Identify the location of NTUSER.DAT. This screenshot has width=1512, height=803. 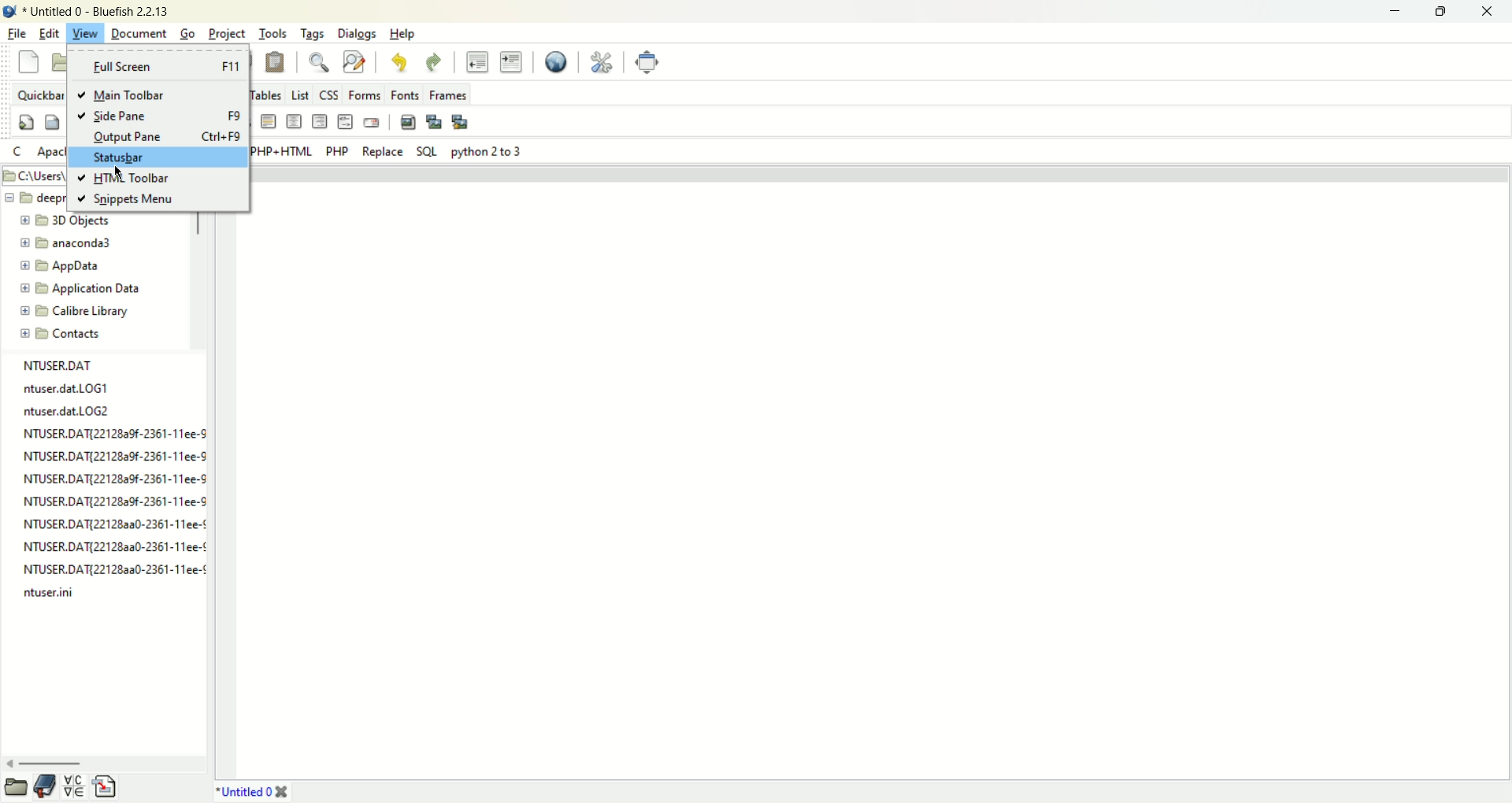
(57, 365).